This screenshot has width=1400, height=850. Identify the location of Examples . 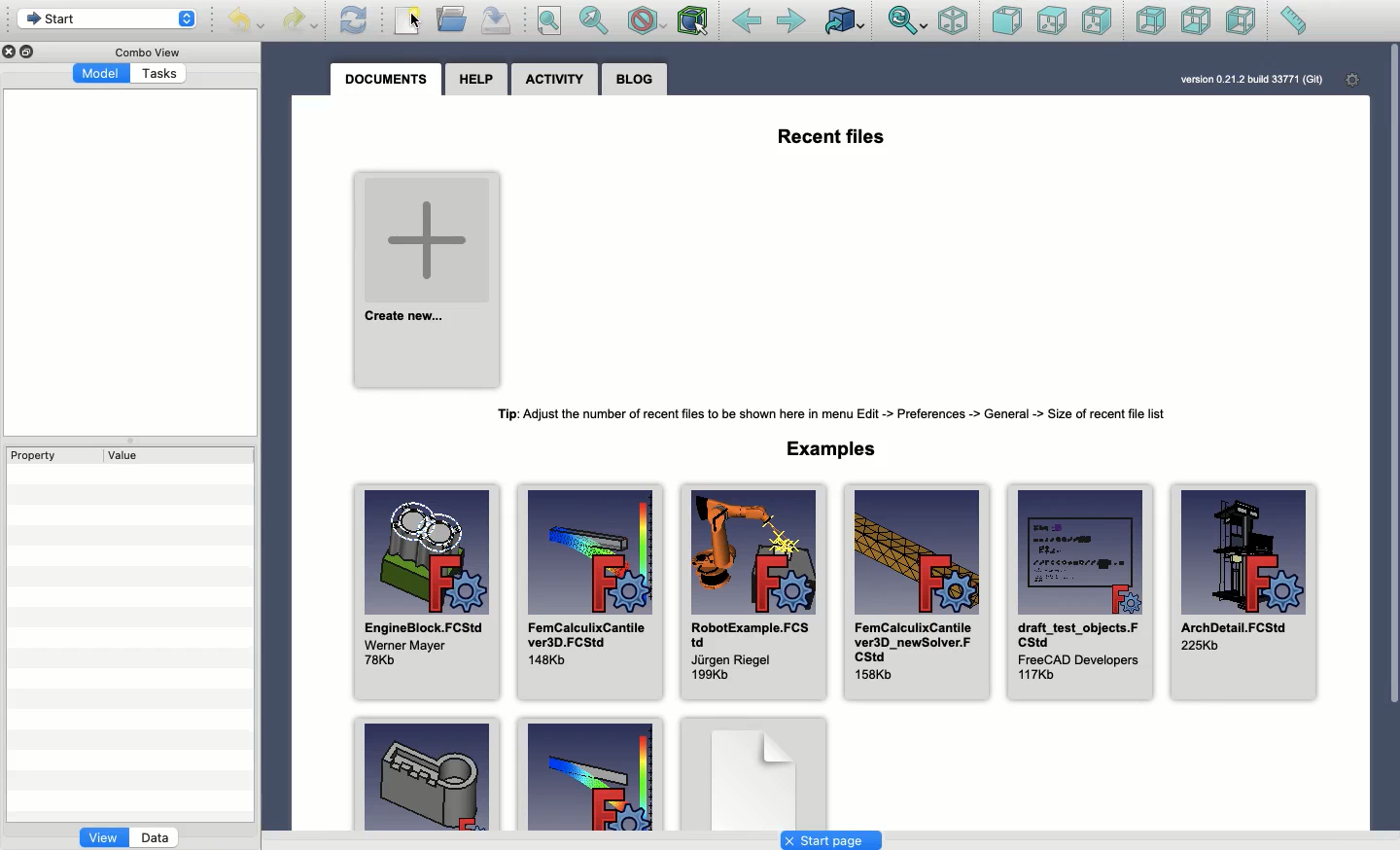
(589, 772).